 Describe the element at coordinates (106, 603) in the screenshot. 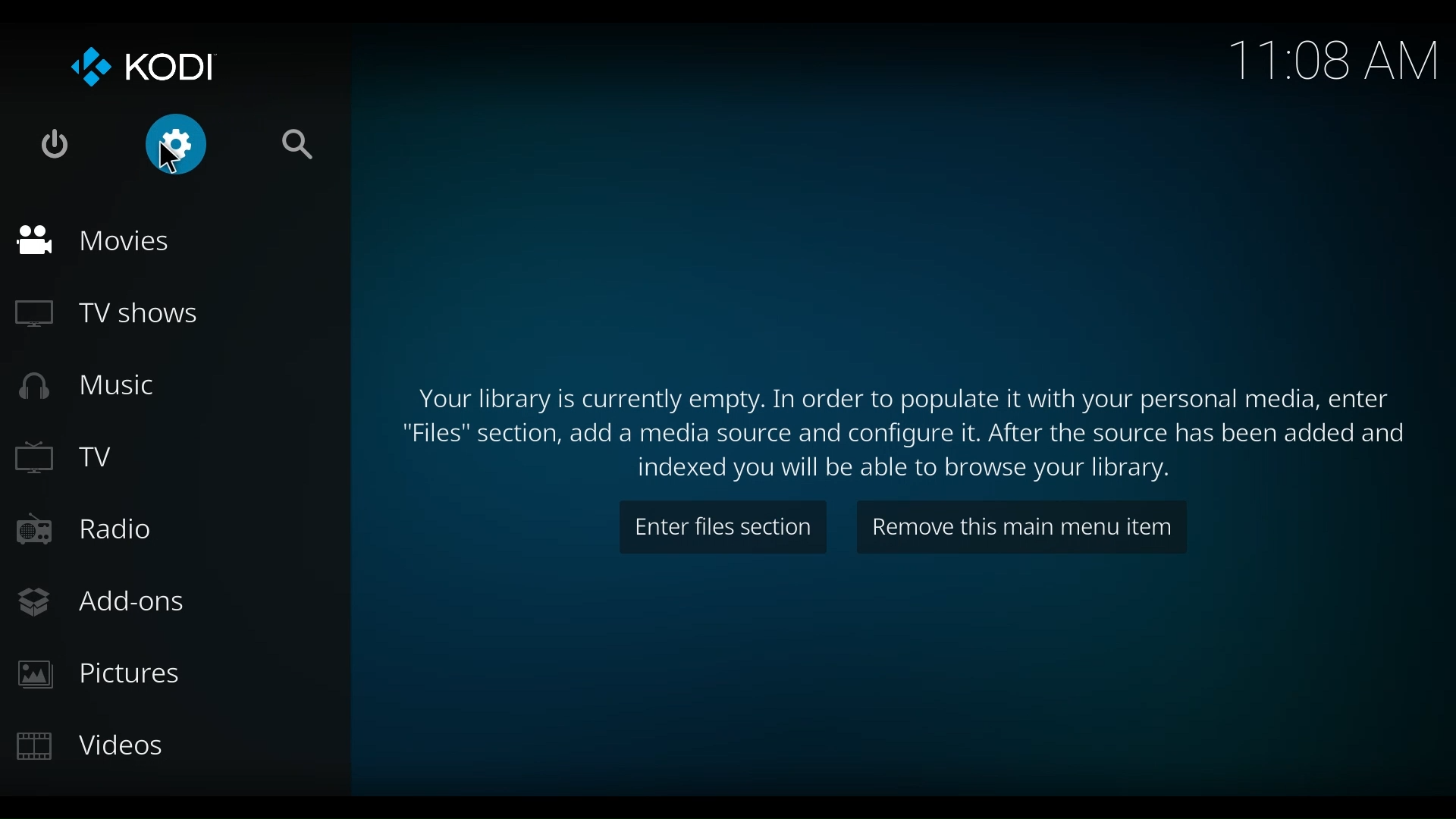

I see `Add-ons` at that location.